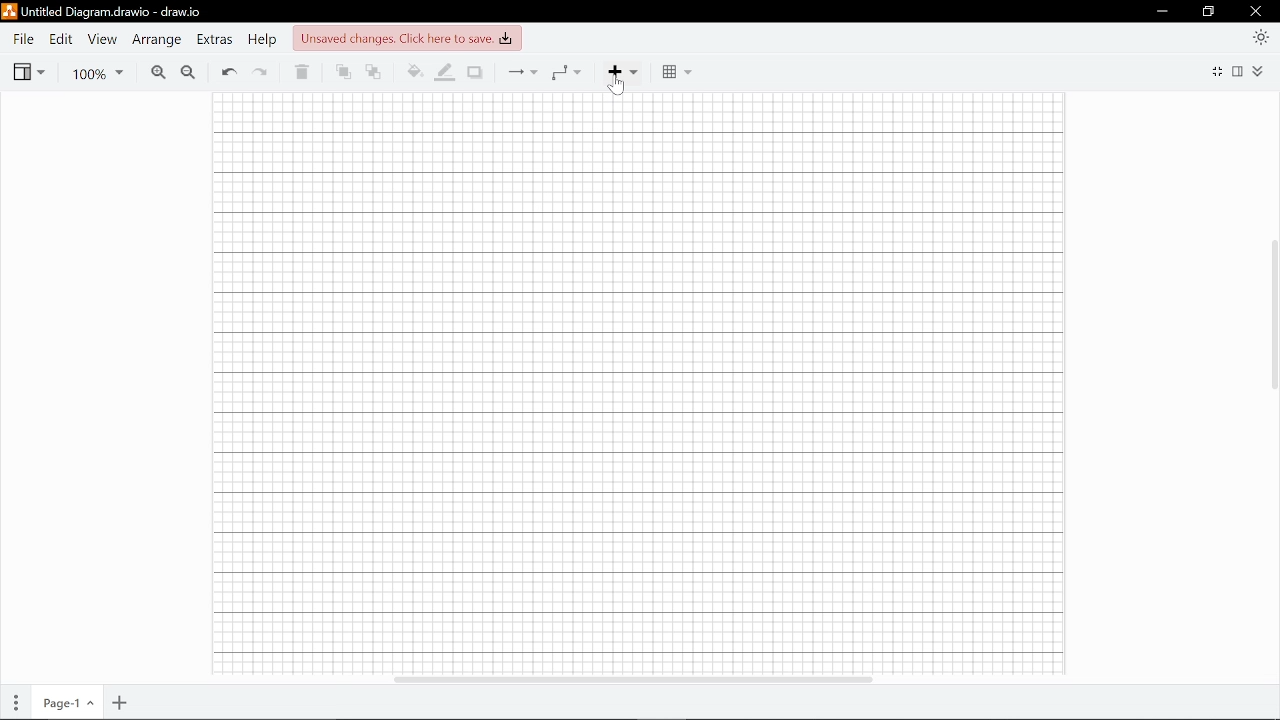  What do you see at coordinates (60, 41) in the screenshot?
I see `Edit` at bounding box center [60, 41].